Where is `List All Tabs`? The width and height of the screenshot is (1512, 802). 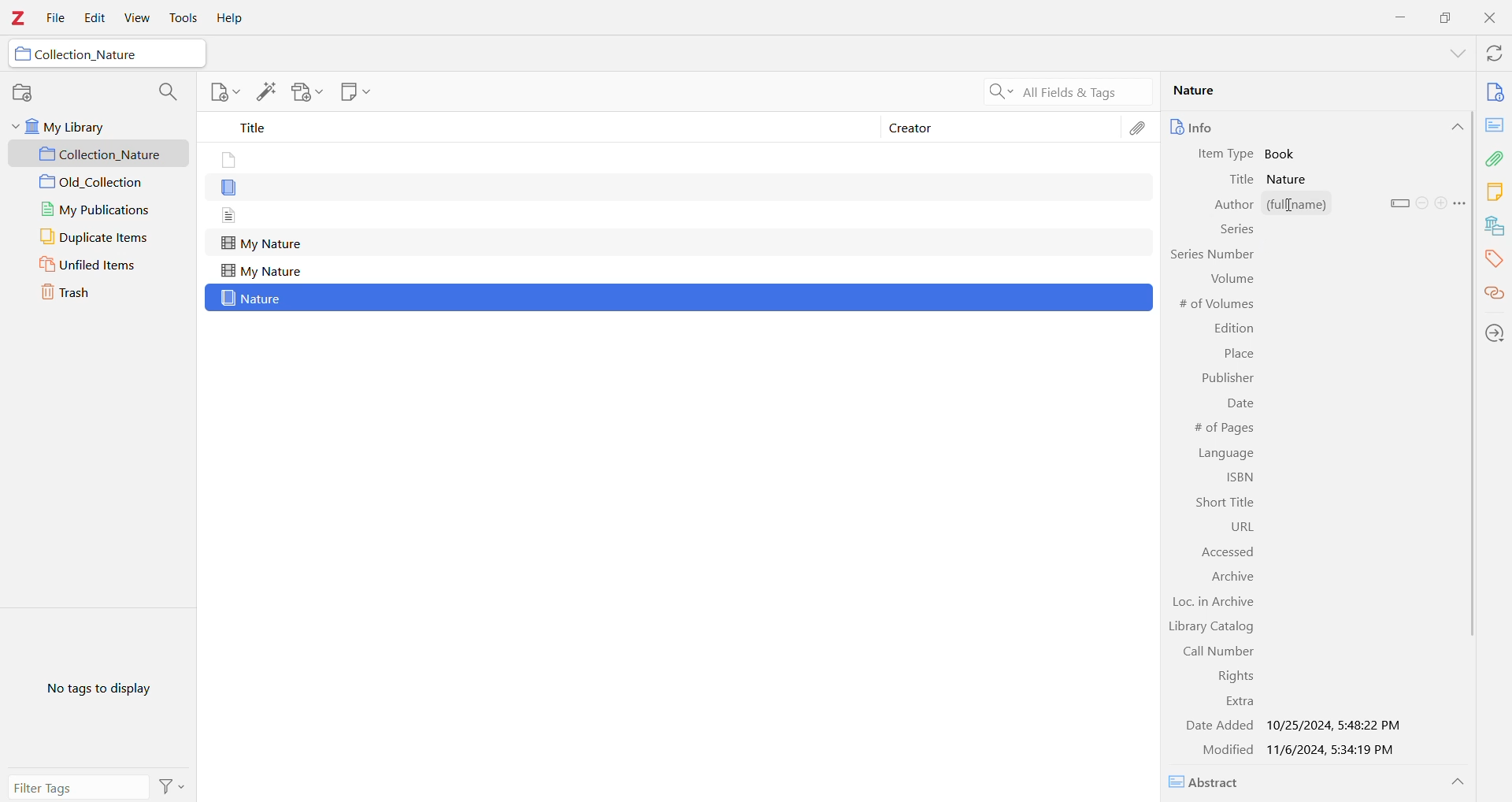
List All Tabs is located at coordinates (1452, 55).